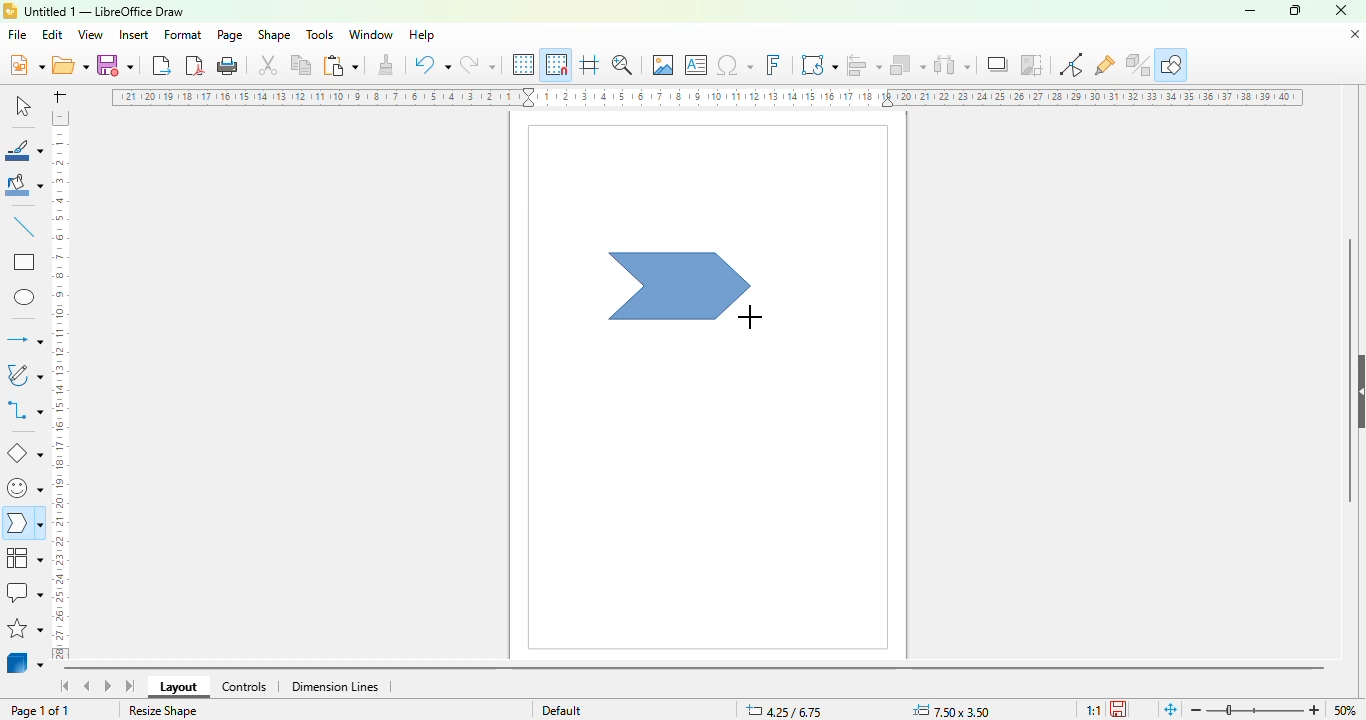 This screenshot has width=1366, height=720. What do you see at coordinates (244, 687) in the screenshot?
I see `controls` at bounding box center [244, 687].